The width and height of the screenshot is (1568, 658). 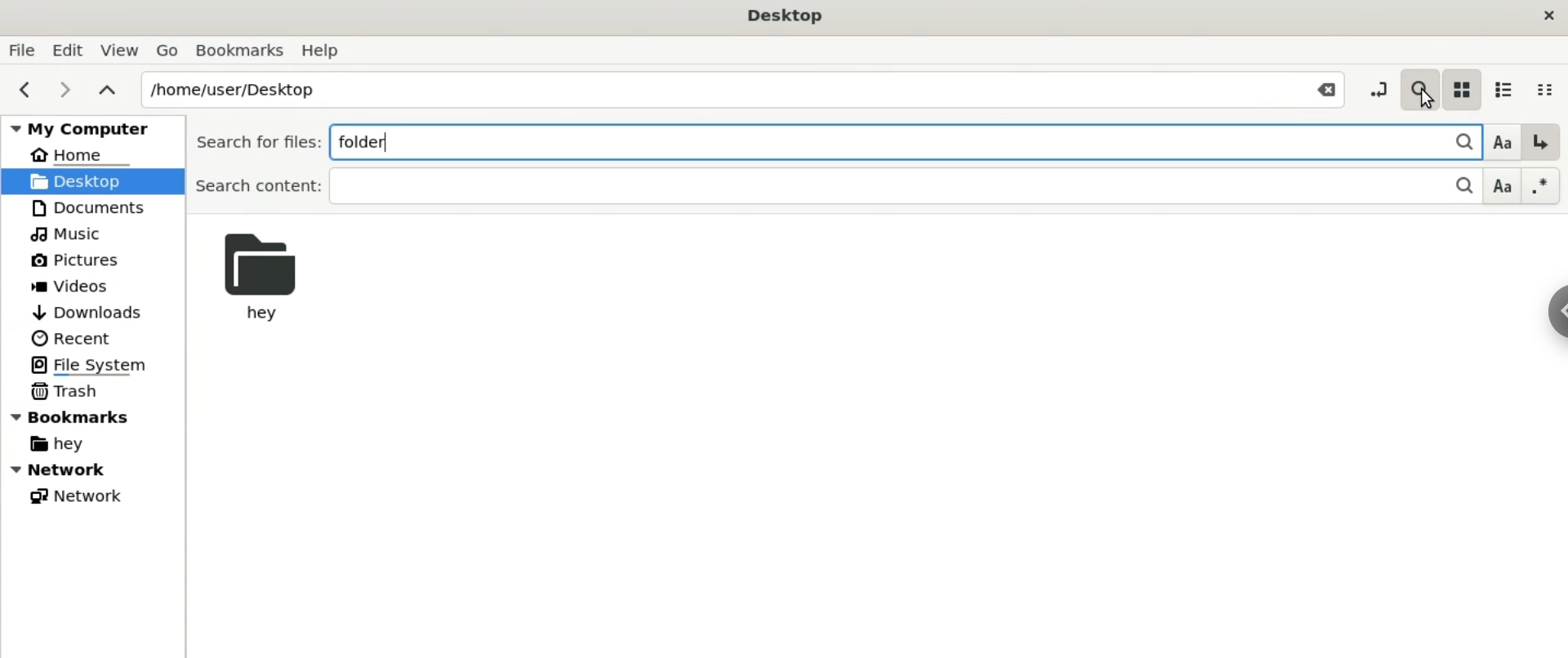 What do you see at coordinates (265, 280) in the screenshot?
I see `hey` at bounding box center [265, 280].